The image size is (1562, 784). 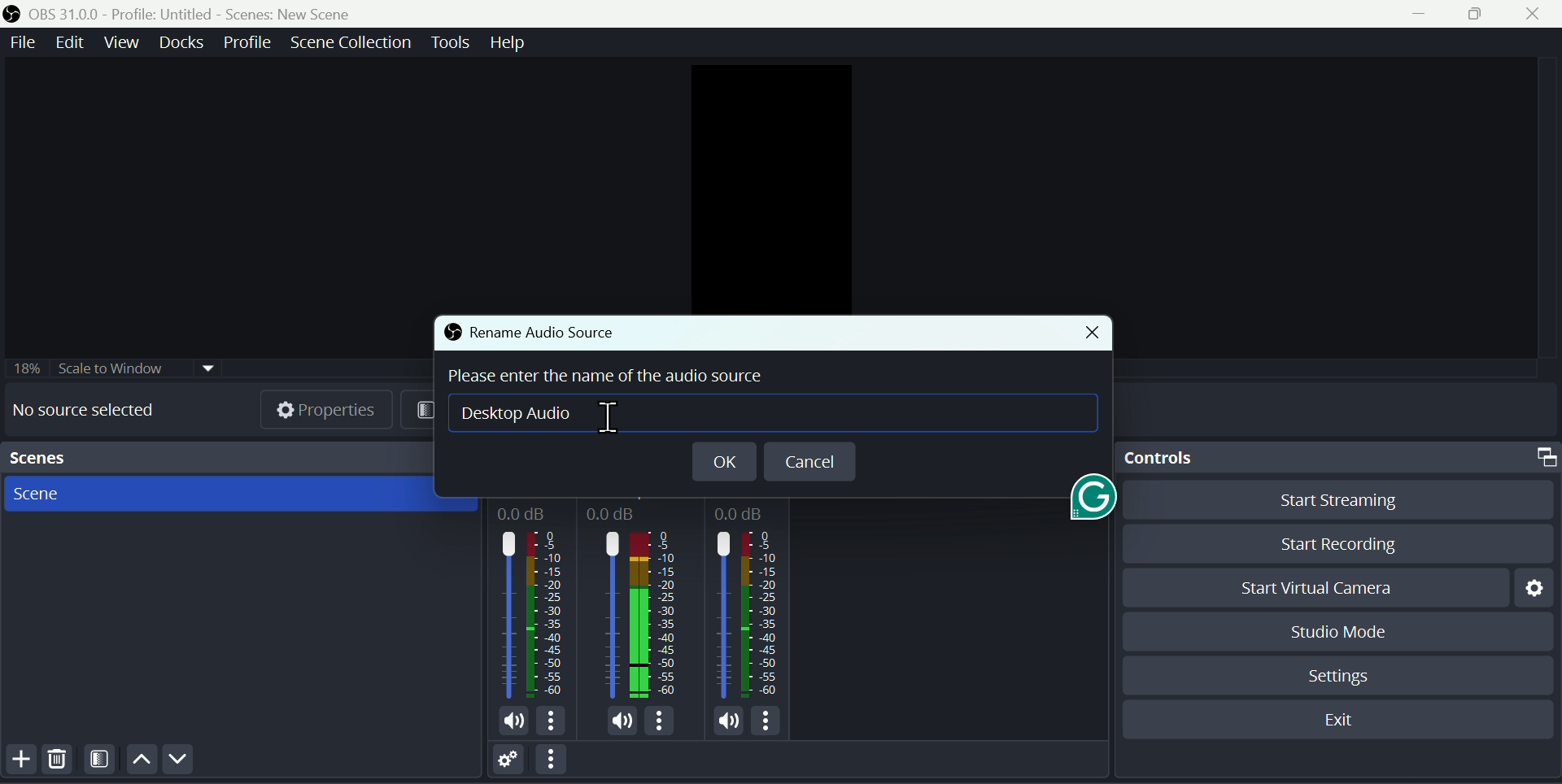 I want to click on Settings, so click(x=1340, y=675).